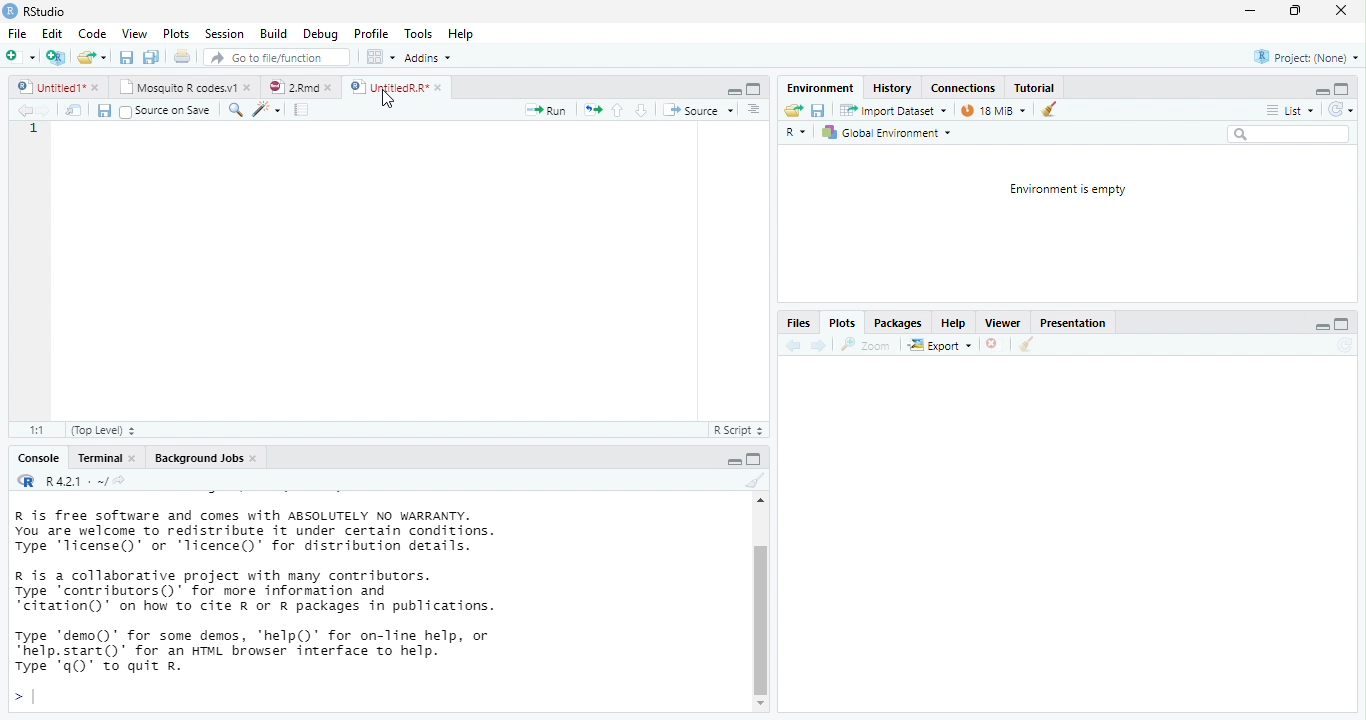 The image size is (1366, 720). What do you see at coordinates (798, 134) in the screenshot?
I see `R` at bounding box center [798, 134].